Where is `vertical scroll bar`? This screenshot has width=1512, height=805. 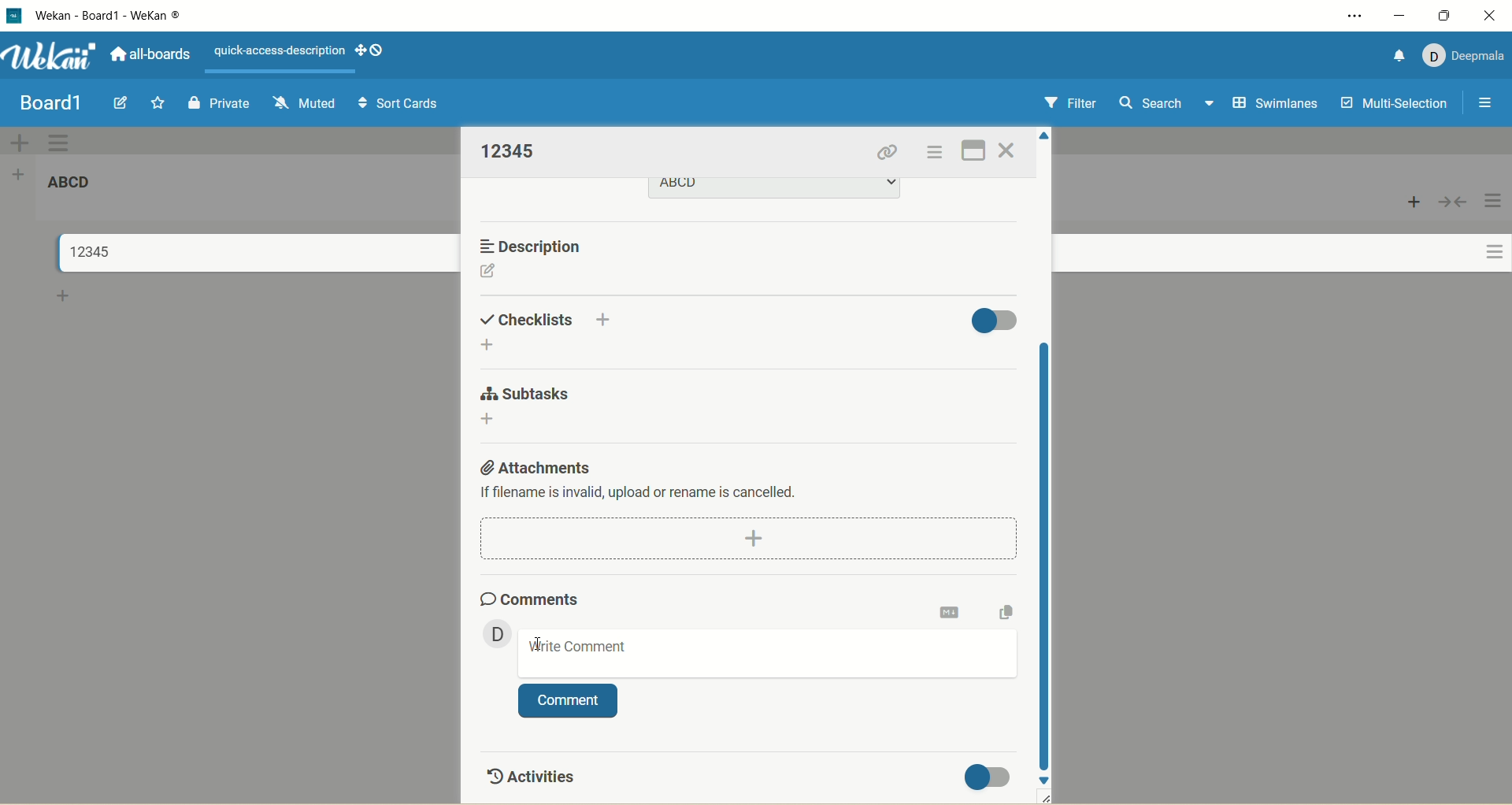
vertical scroll bar is located at coordinates (1047, 554).